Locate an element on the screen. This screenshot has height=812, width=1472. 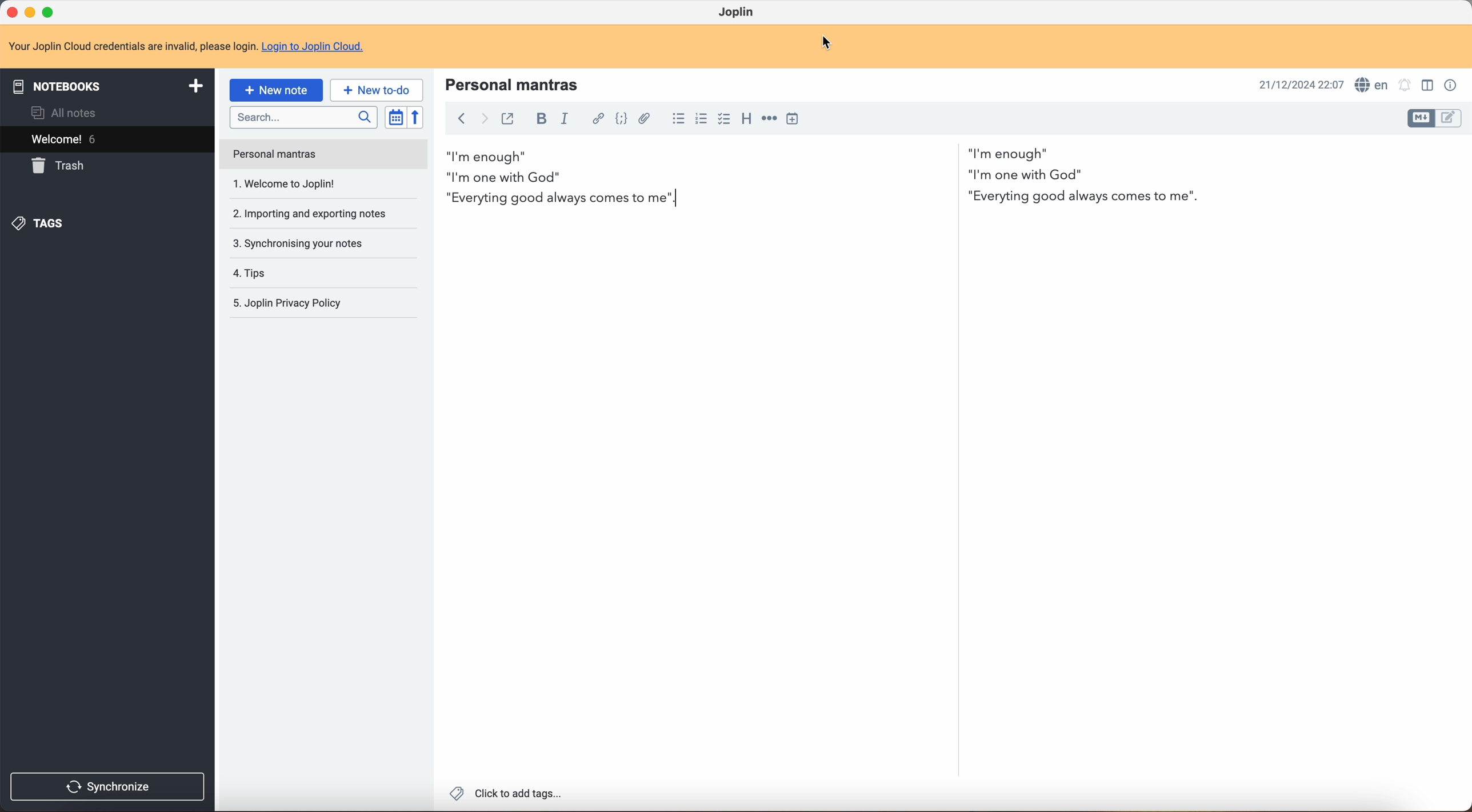
synchronising your notes is located at coordinates (315, 217).